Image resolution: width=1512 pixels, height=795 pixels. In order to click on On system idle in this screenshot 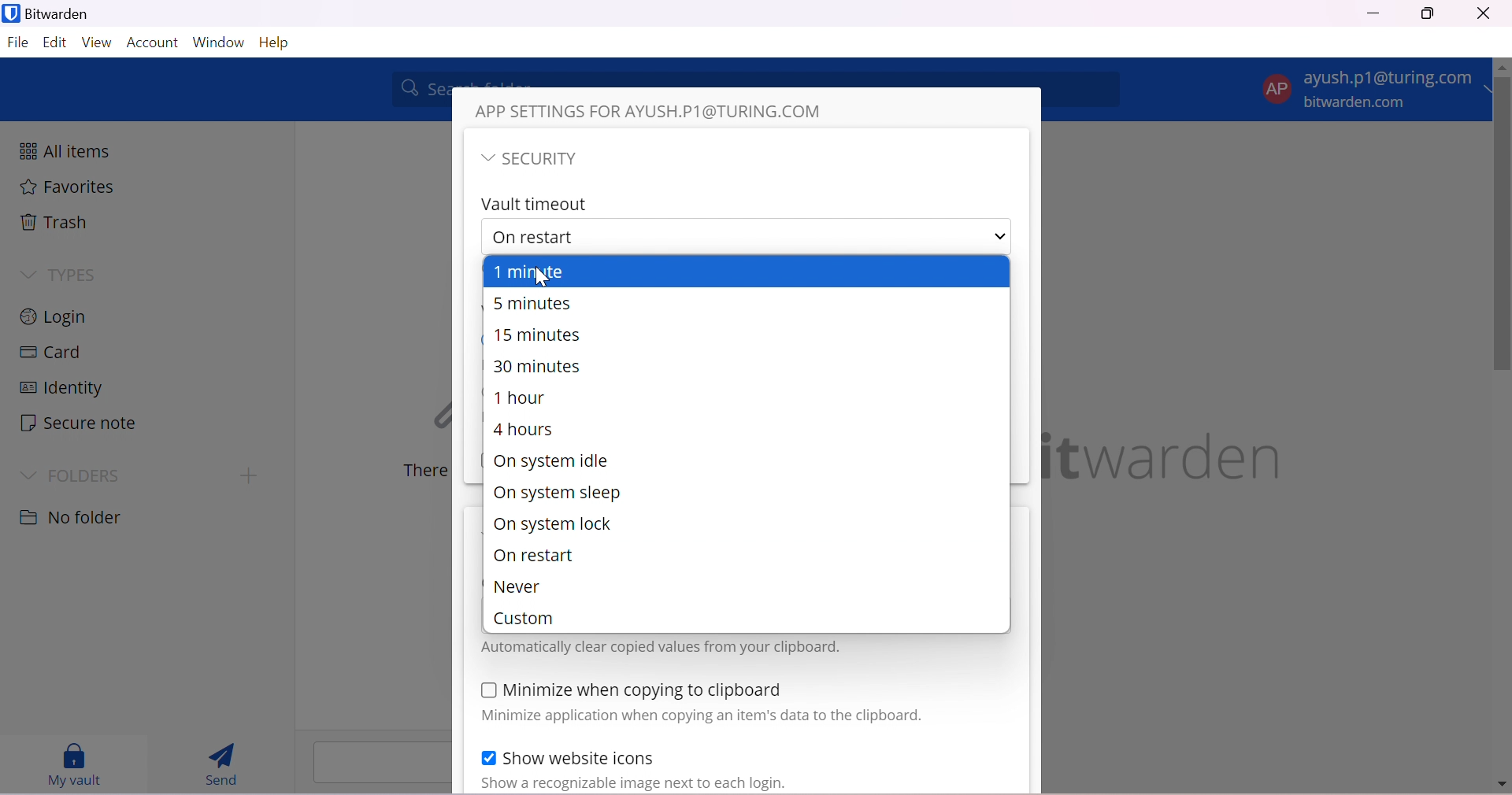, I will do `click(550, 461)`.